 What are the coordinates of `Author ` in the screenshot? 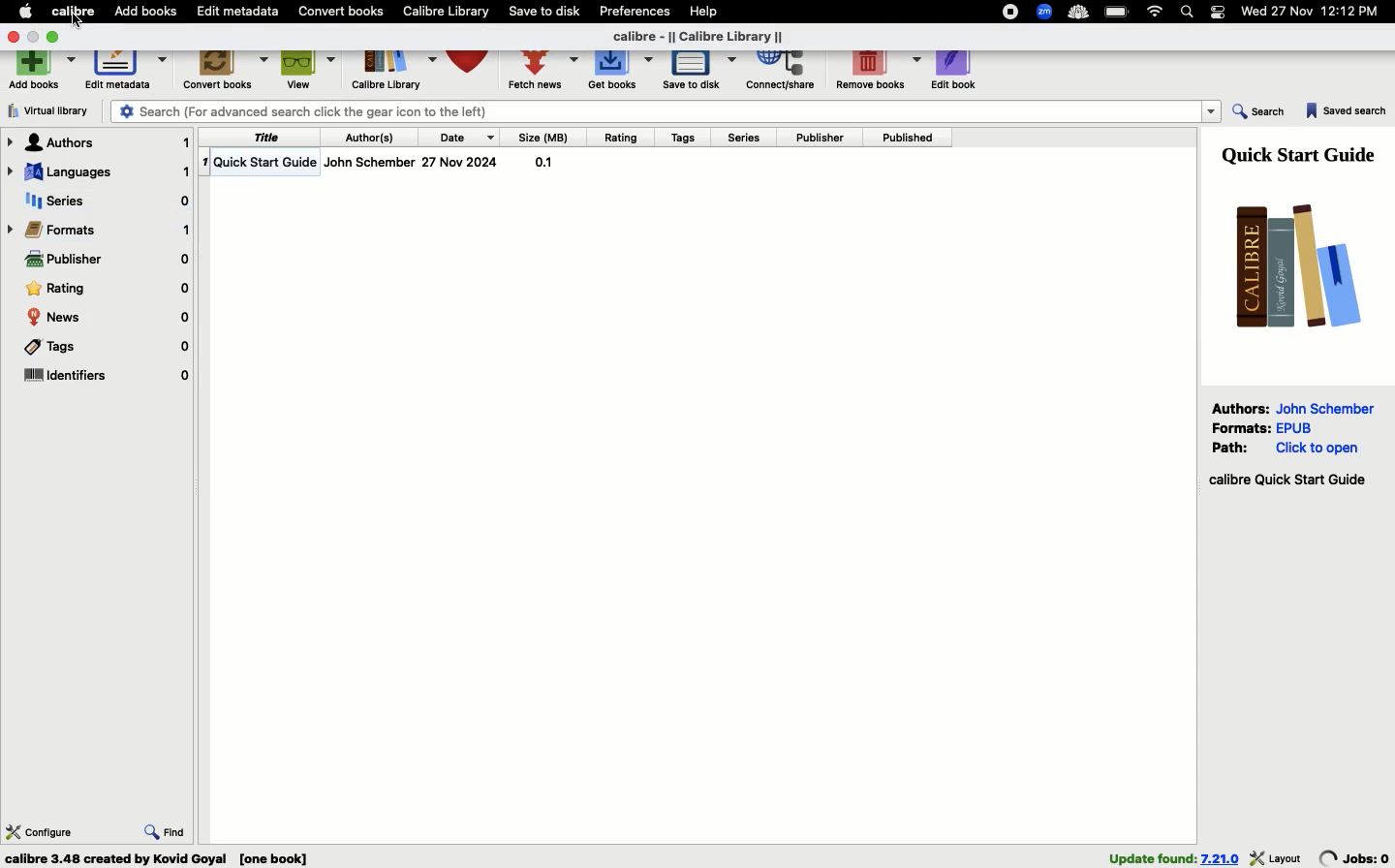 It's located at (371, 163).